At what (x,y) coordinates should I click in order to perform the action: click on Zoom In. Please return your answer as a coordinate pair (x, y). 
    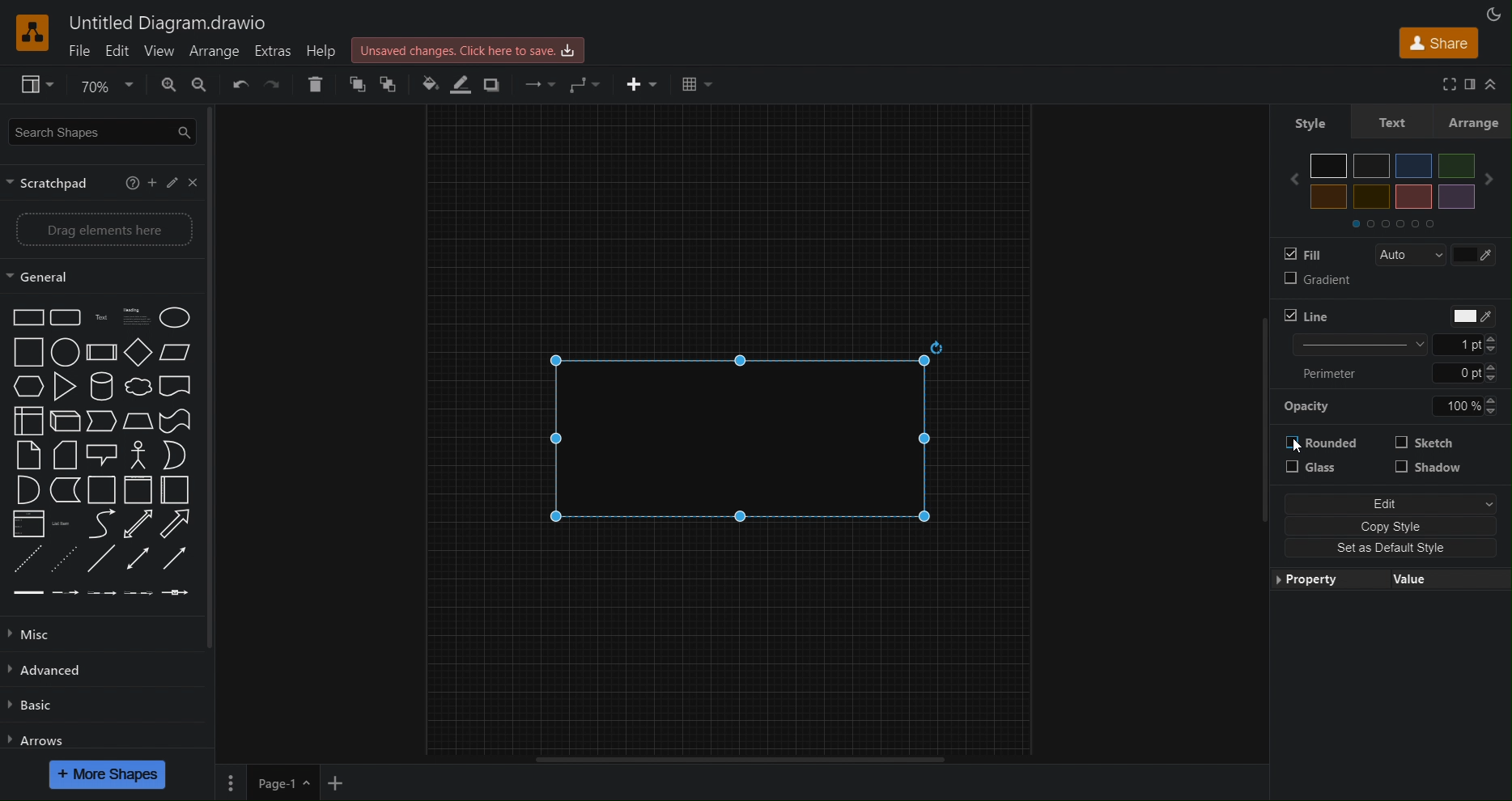
    Looking at the image, I should click on (168, 83).